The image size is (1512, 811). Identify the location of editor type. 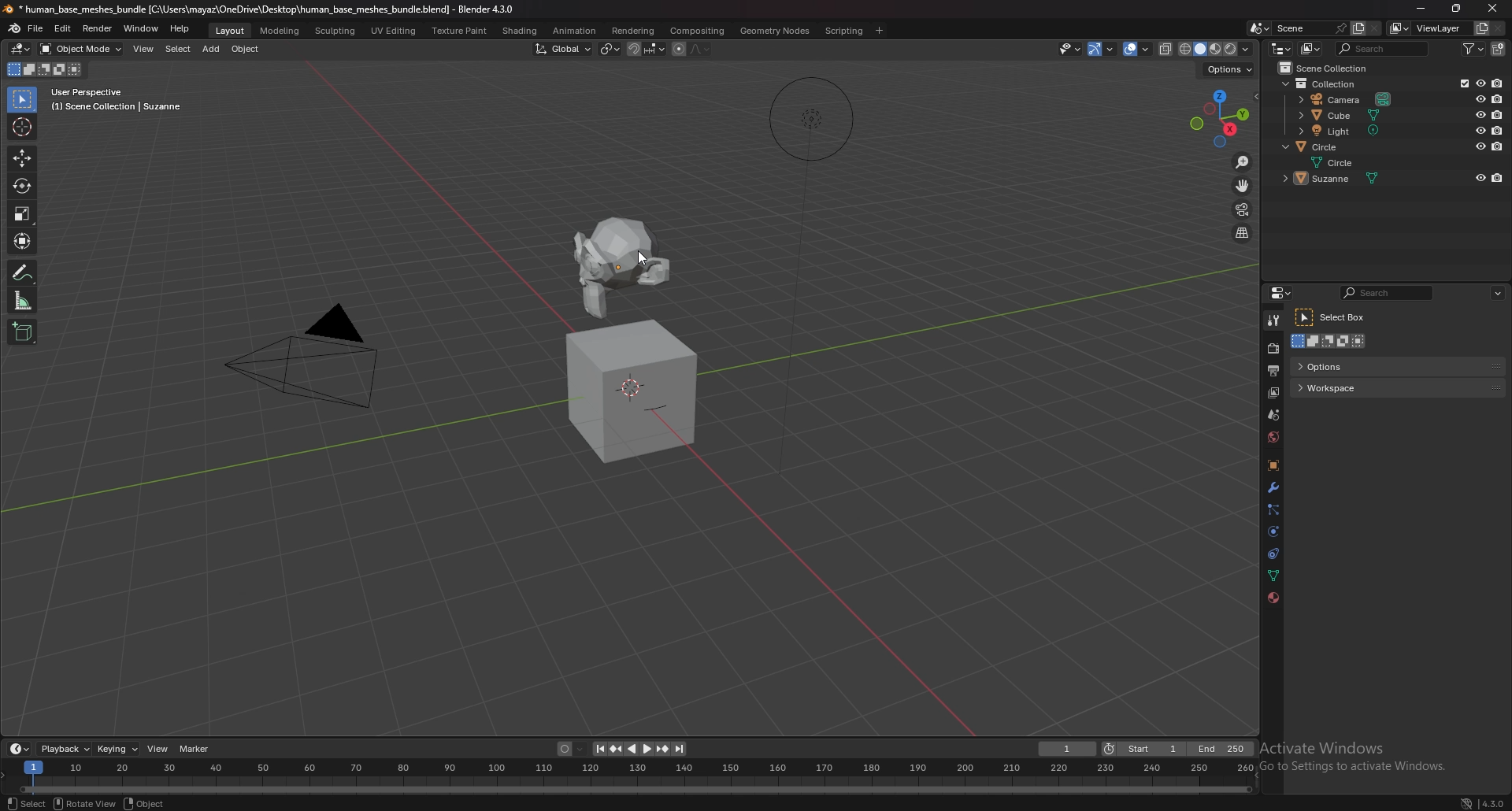
(1280, 47).